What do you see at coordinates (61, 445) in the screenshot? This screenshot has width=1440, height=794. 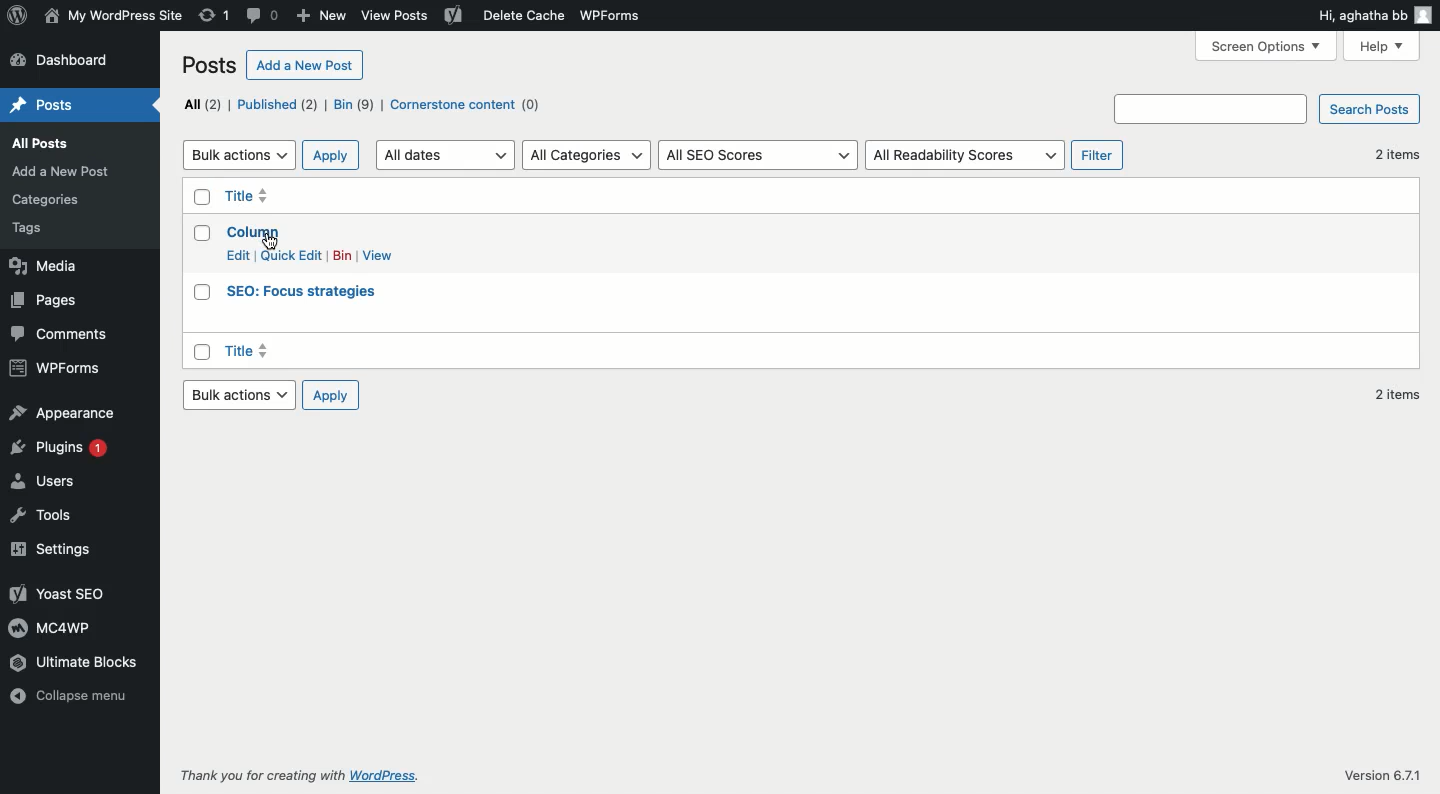 I see `Plugins` at bounding box center [61, 445].